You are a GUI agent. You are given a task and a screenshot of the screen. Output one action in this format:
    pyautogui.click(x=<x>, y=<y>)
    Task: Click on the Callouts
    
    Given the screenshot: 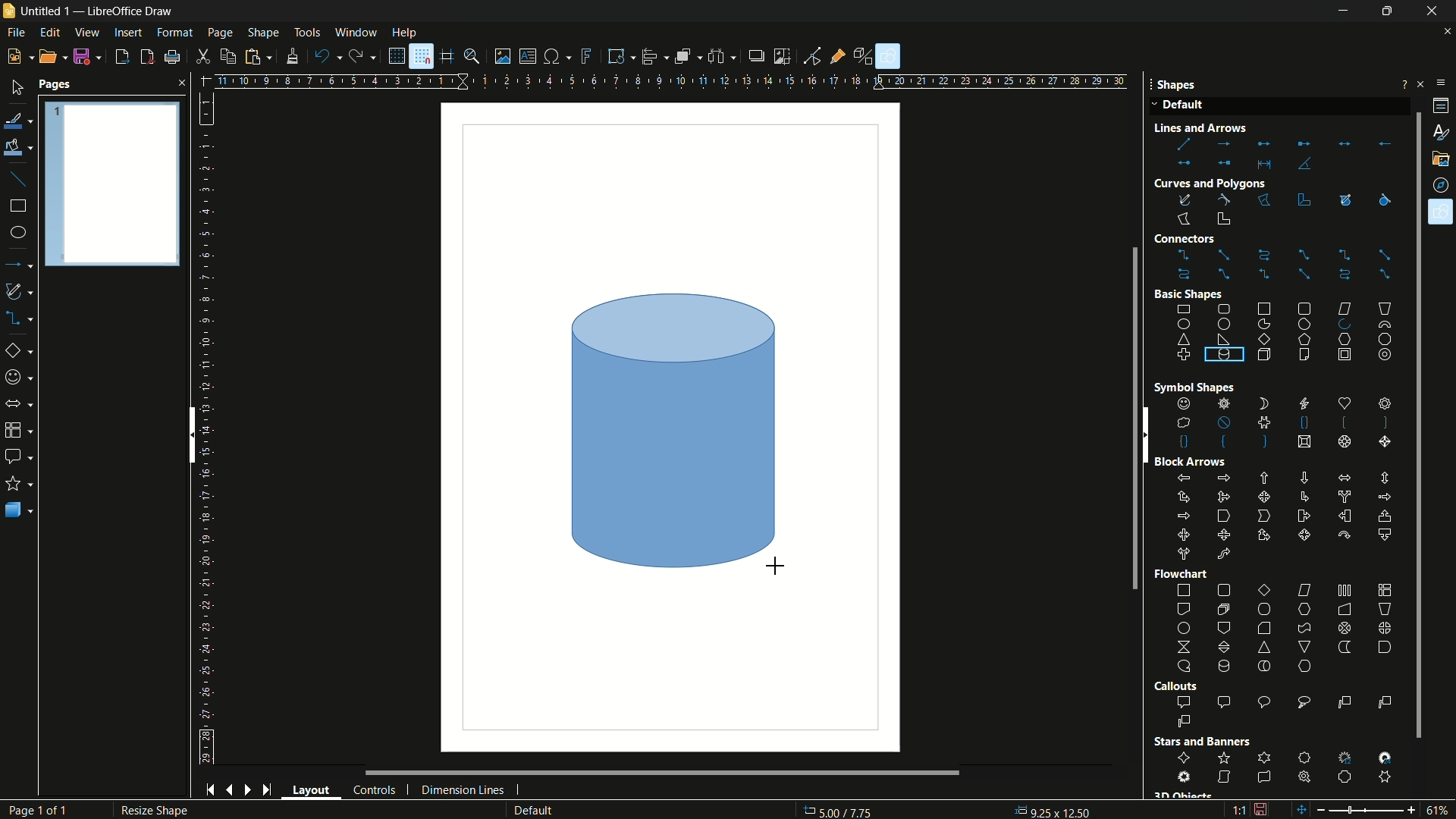 What is the action you would take?
    pyautogui.click(x=1175, y=686)
    